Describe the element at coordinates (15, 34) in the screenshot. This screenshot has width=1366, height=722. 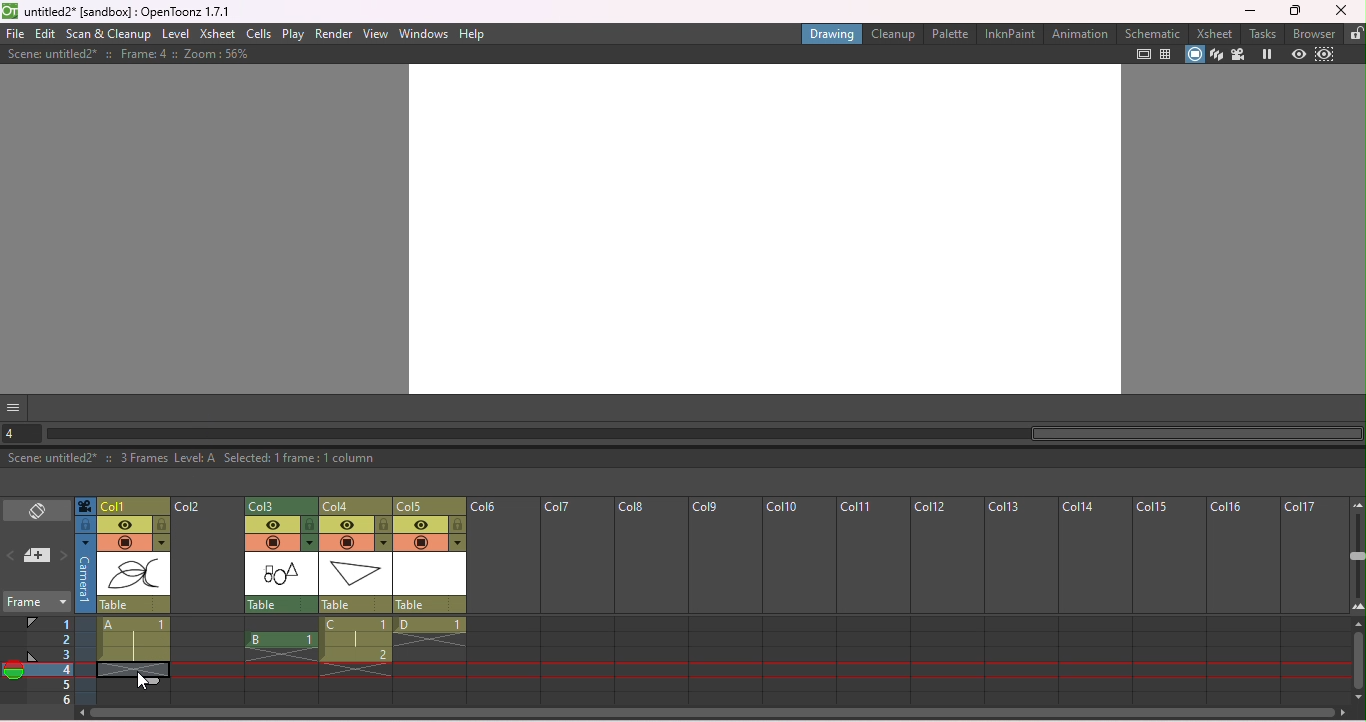
I see `file` at that location.